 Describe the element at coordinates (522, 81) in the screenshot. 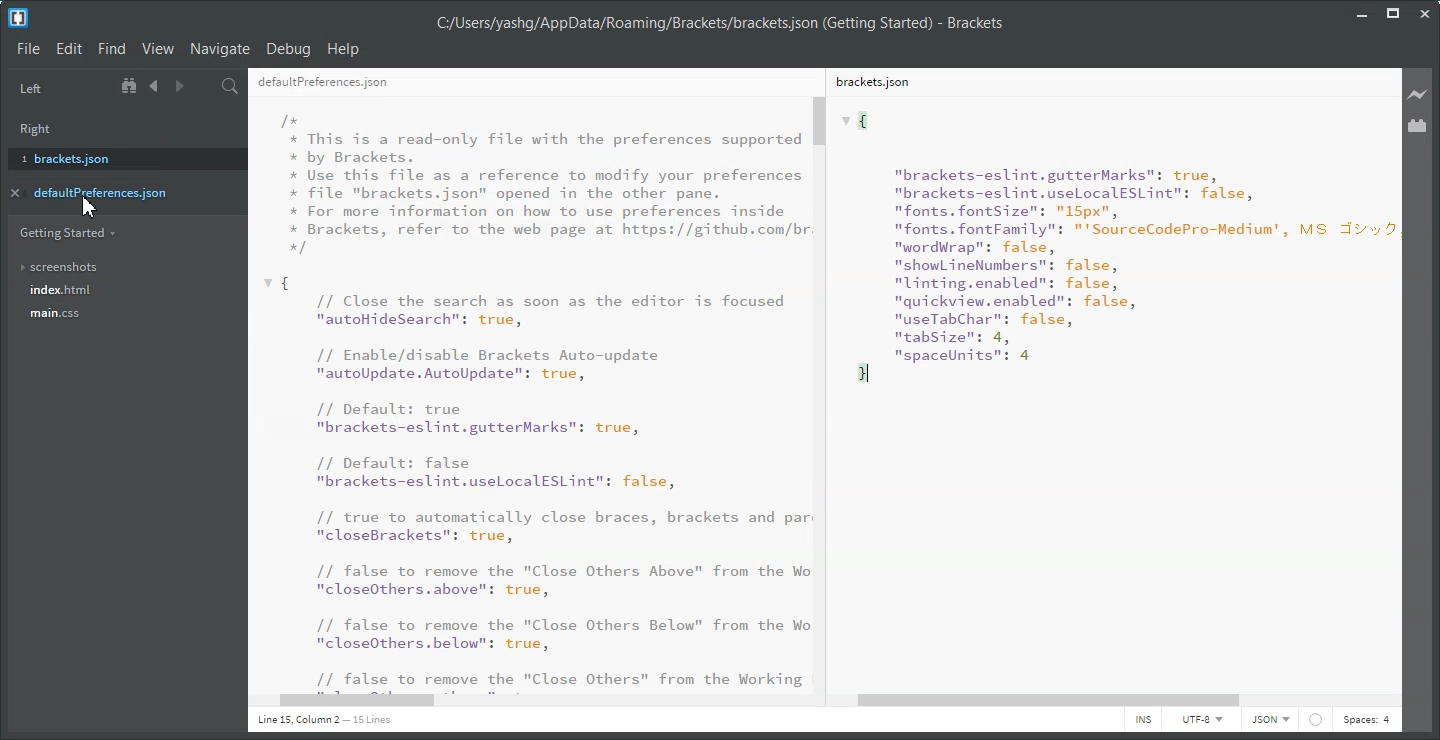

I see `defaultpreferences.json File` at that location.